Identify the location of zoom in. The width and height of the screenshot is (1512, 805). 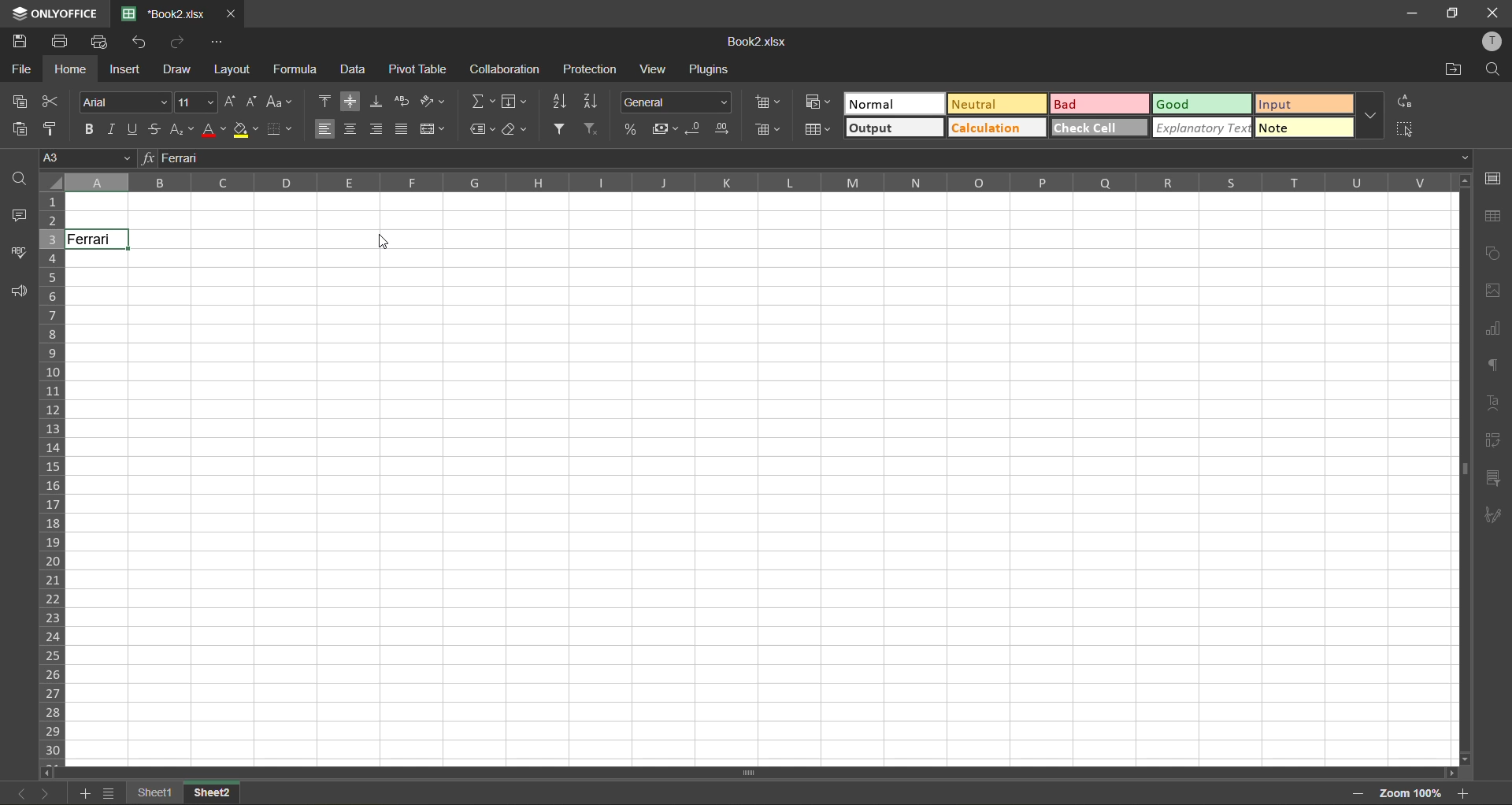
(1466, 793).